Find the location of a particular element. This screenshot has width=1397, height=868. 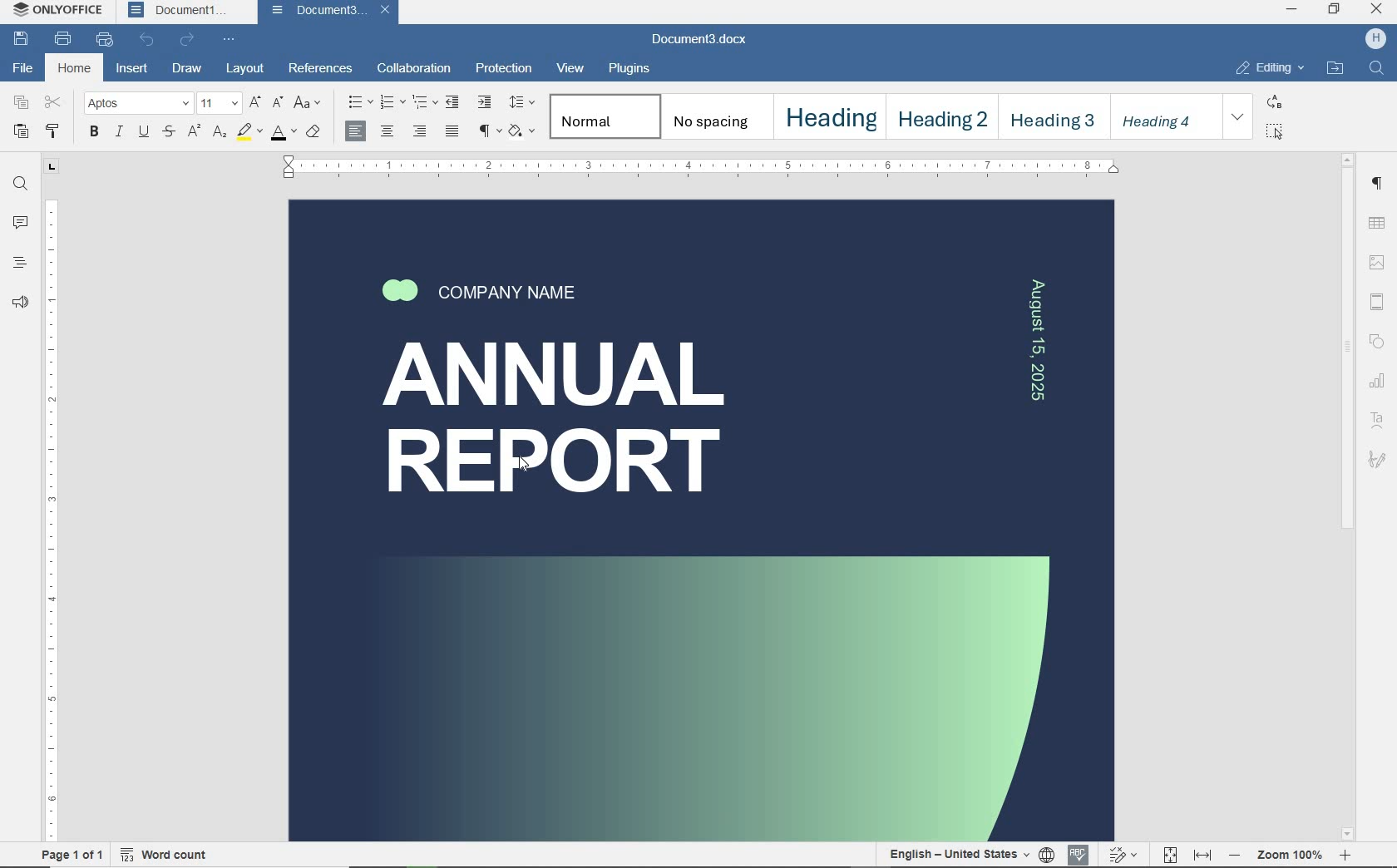

font color is located at coordinates (285, 135).